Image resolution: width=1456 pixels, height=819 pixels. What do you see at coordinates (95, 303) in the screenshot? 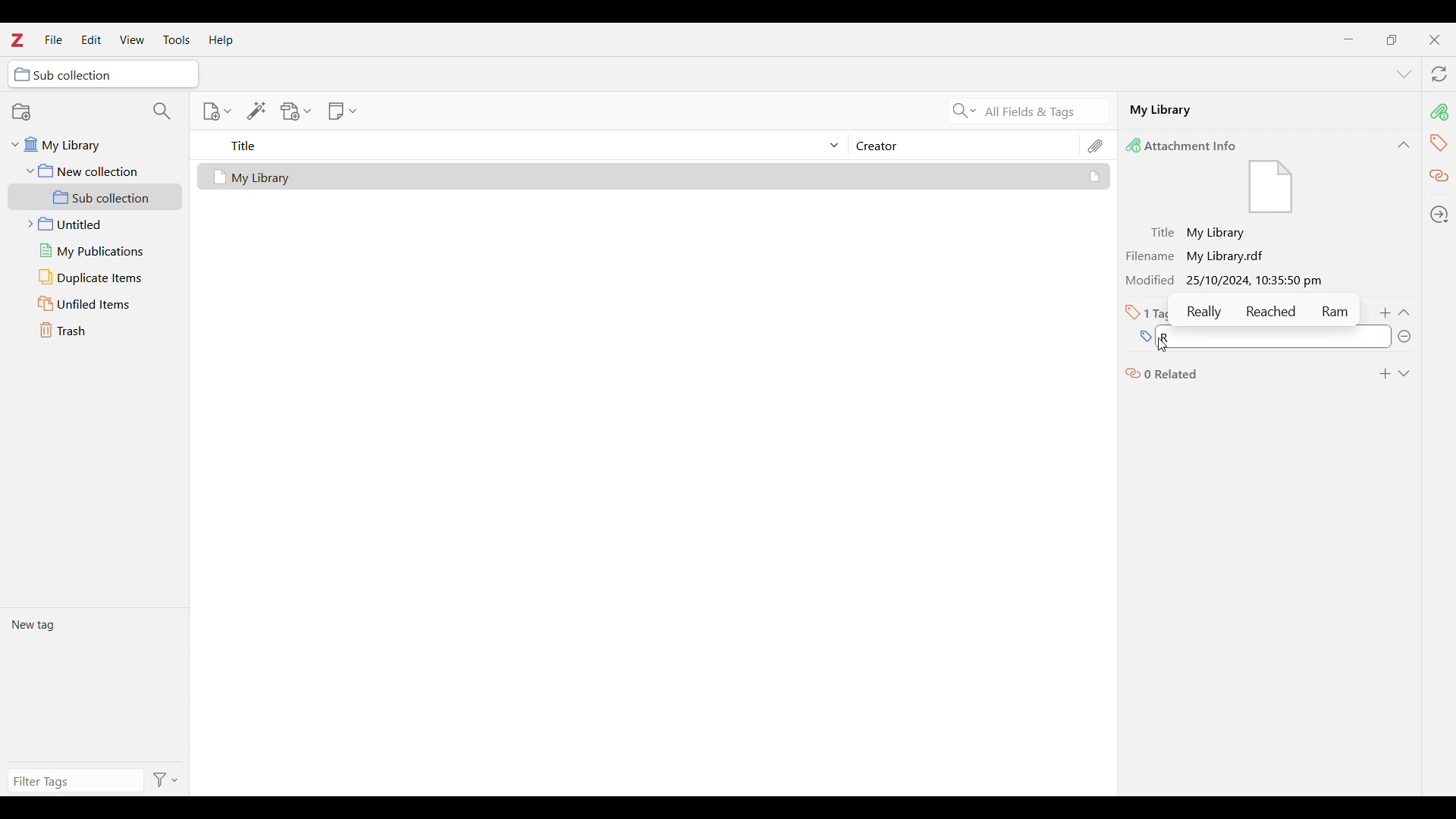
I see `Unfiled items folder` at bounding box center [95, 303].